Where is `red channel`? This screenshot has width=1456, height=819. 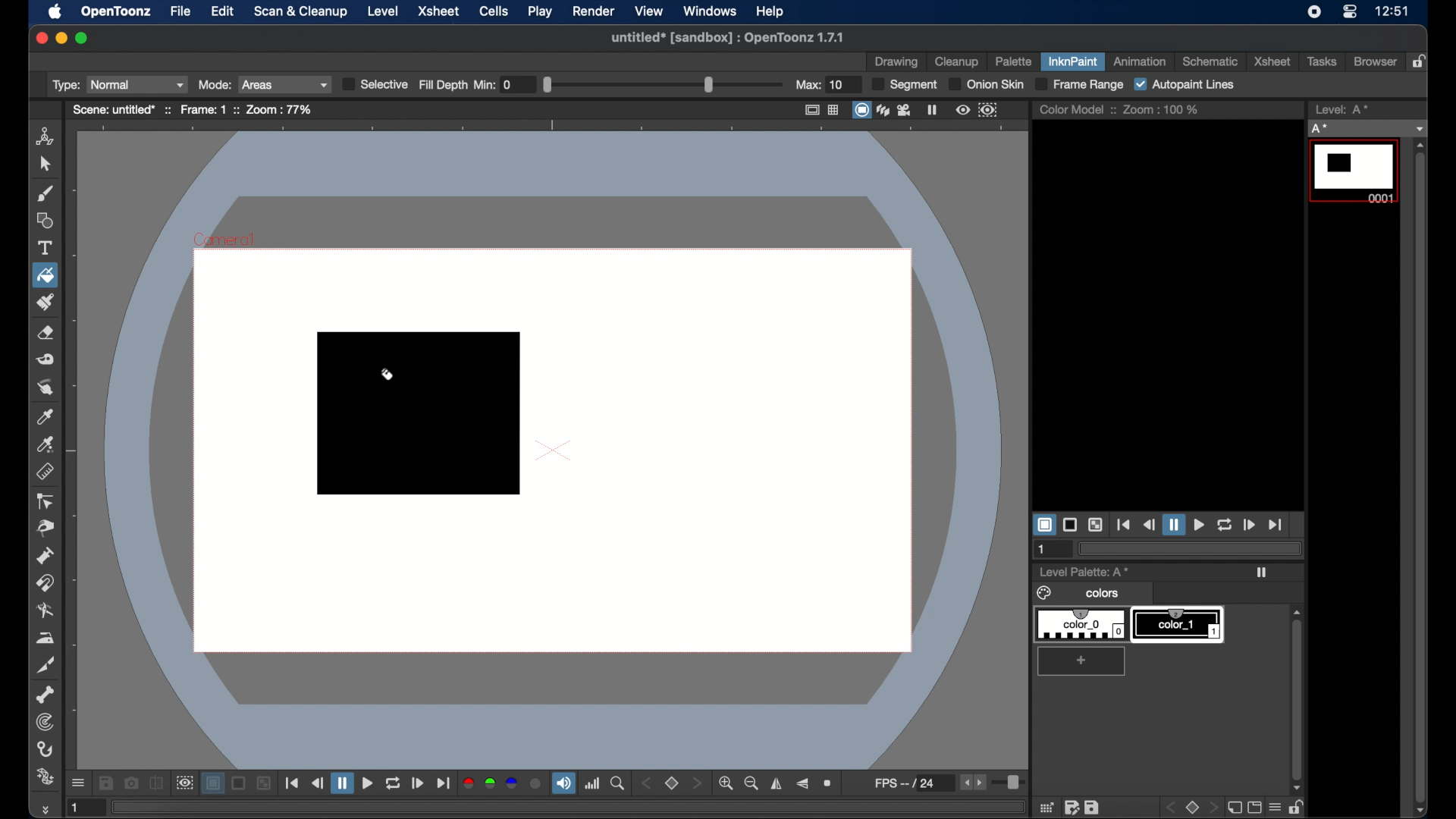 red channel is located at coordinates (468, 783).